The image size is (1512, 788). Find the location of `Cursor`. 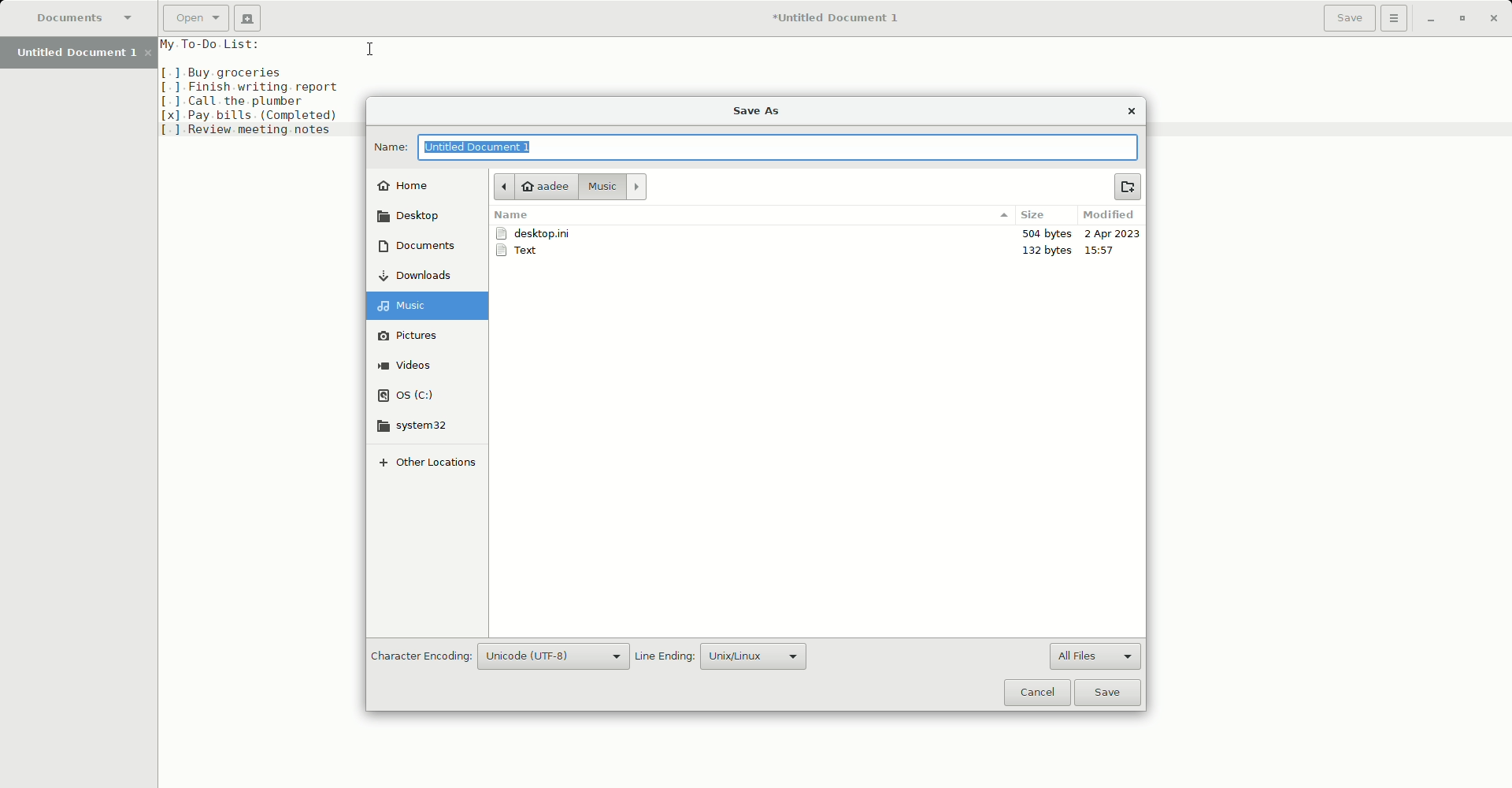

Cursor is located at coordinates (367, 47).